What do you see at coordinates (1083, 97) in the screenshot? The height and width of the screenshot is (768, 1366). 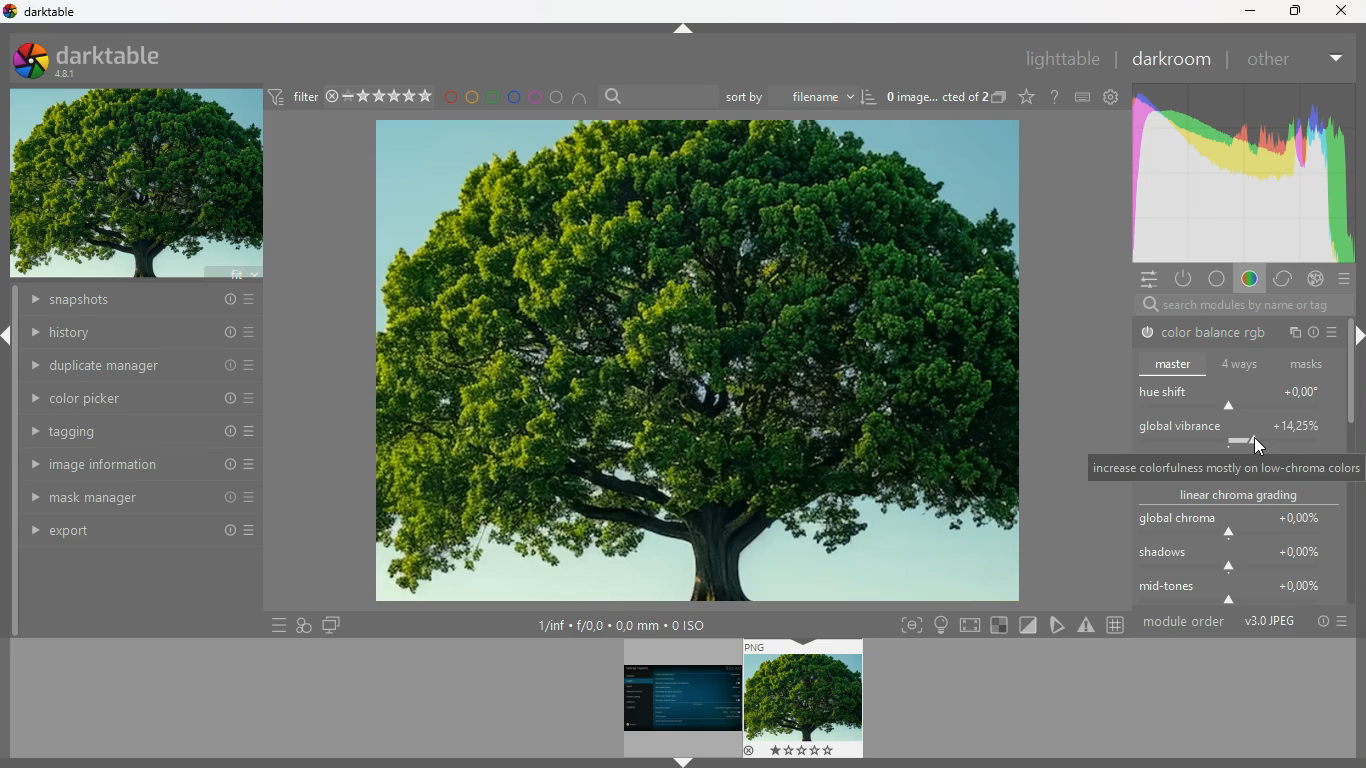 I see `keyboard` at bounding box center [1083, 97].